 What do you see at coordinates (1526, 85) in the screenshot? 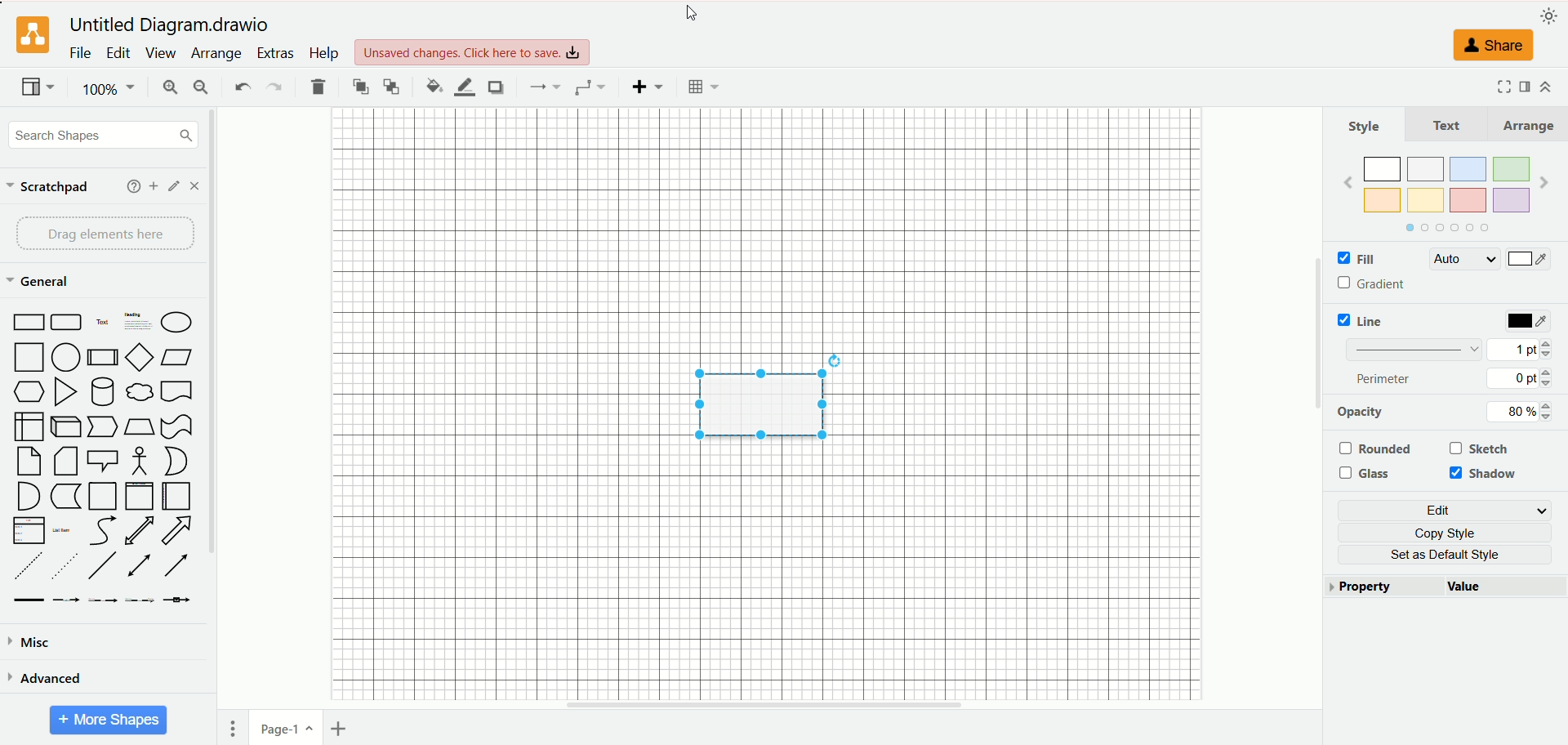
I see `format` at bounding box center [1526, 85].